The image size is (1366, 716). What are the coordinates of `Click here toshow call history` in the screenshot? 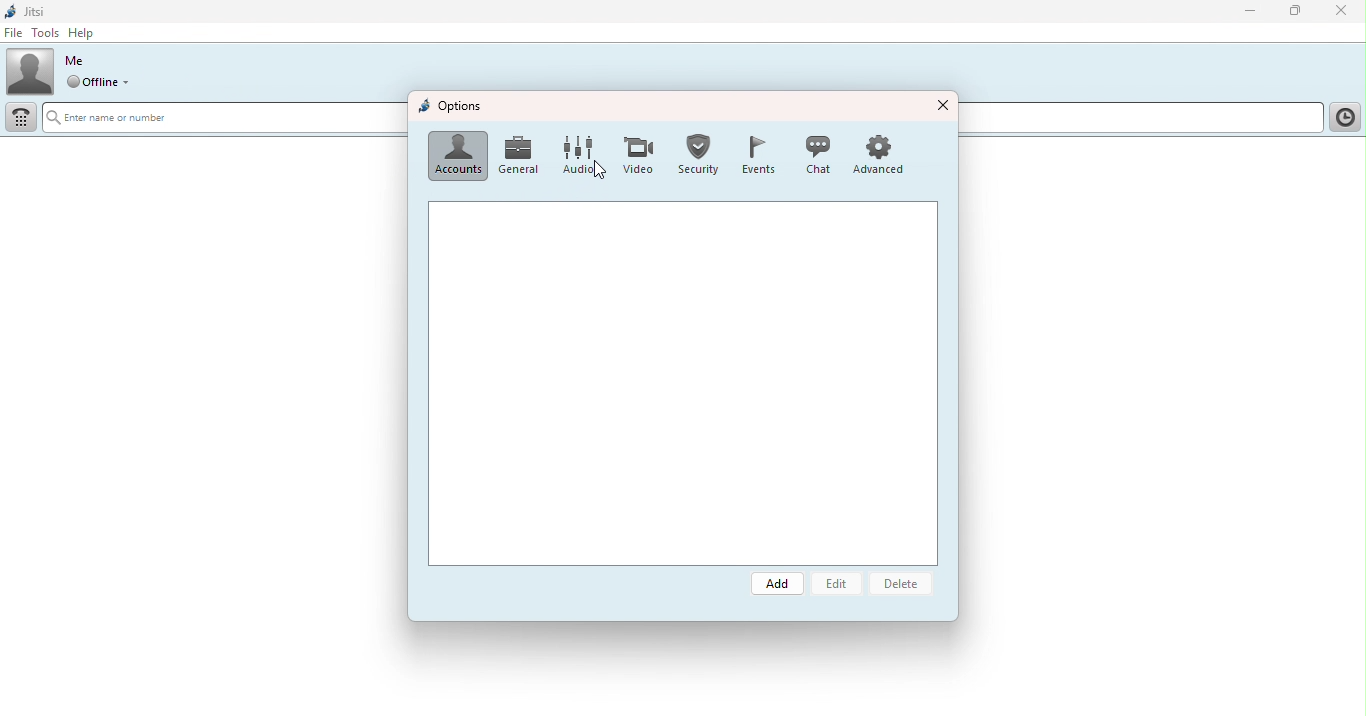 It's located at (1343, 118).